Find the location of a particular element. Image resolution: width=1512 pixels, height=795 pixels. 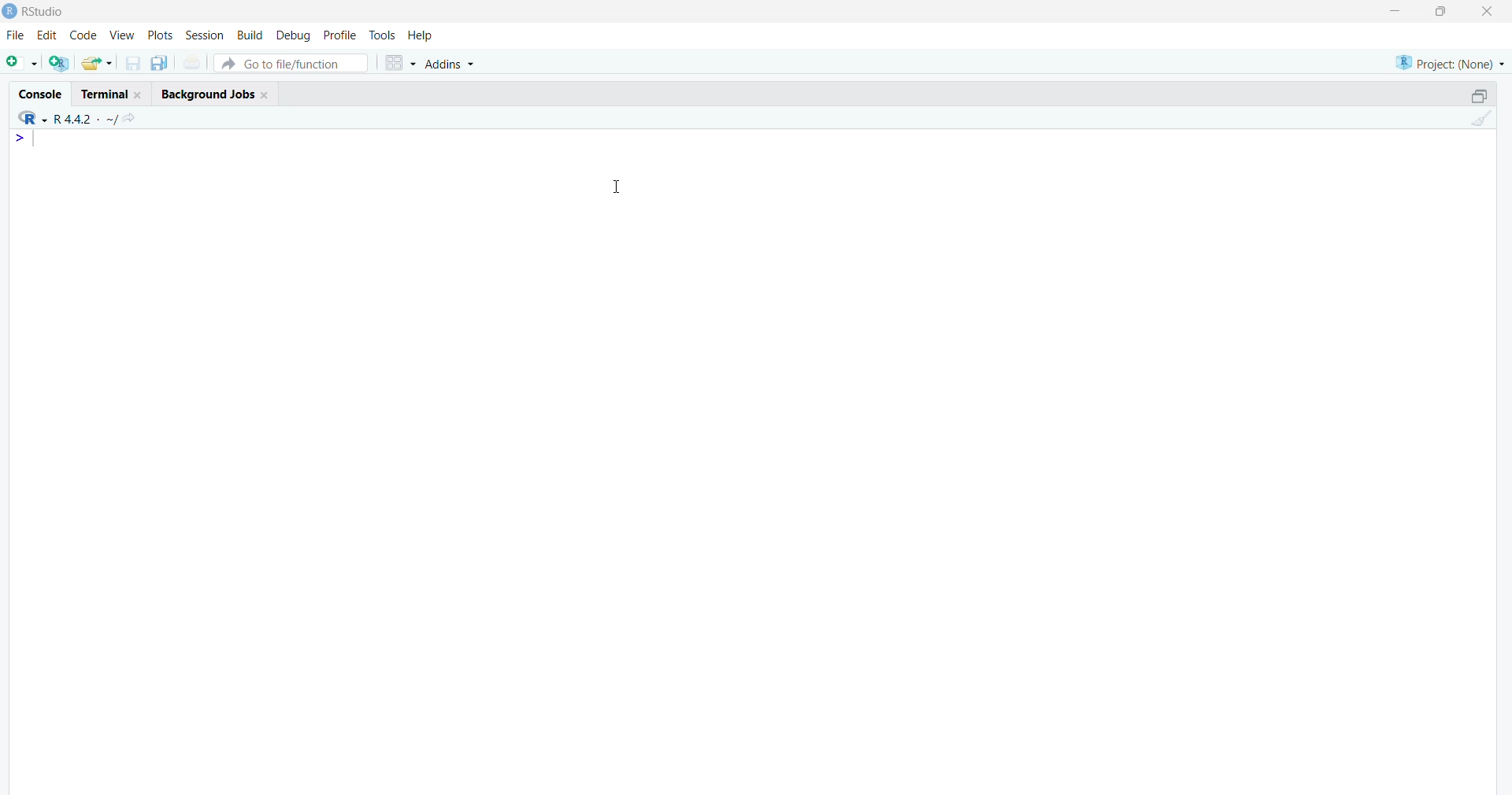

cursor is located at coordinates (617, 187).